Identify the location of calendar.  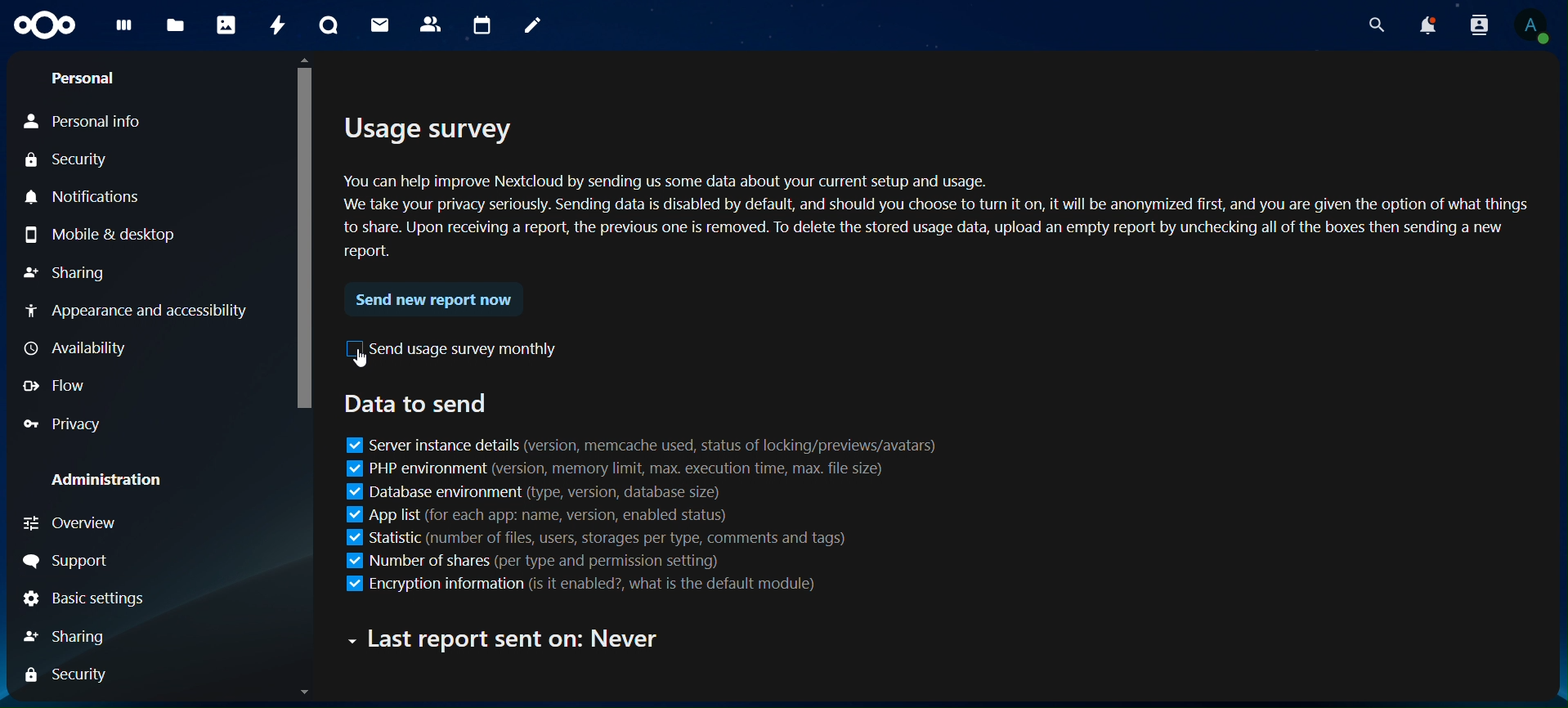
(483, 23).